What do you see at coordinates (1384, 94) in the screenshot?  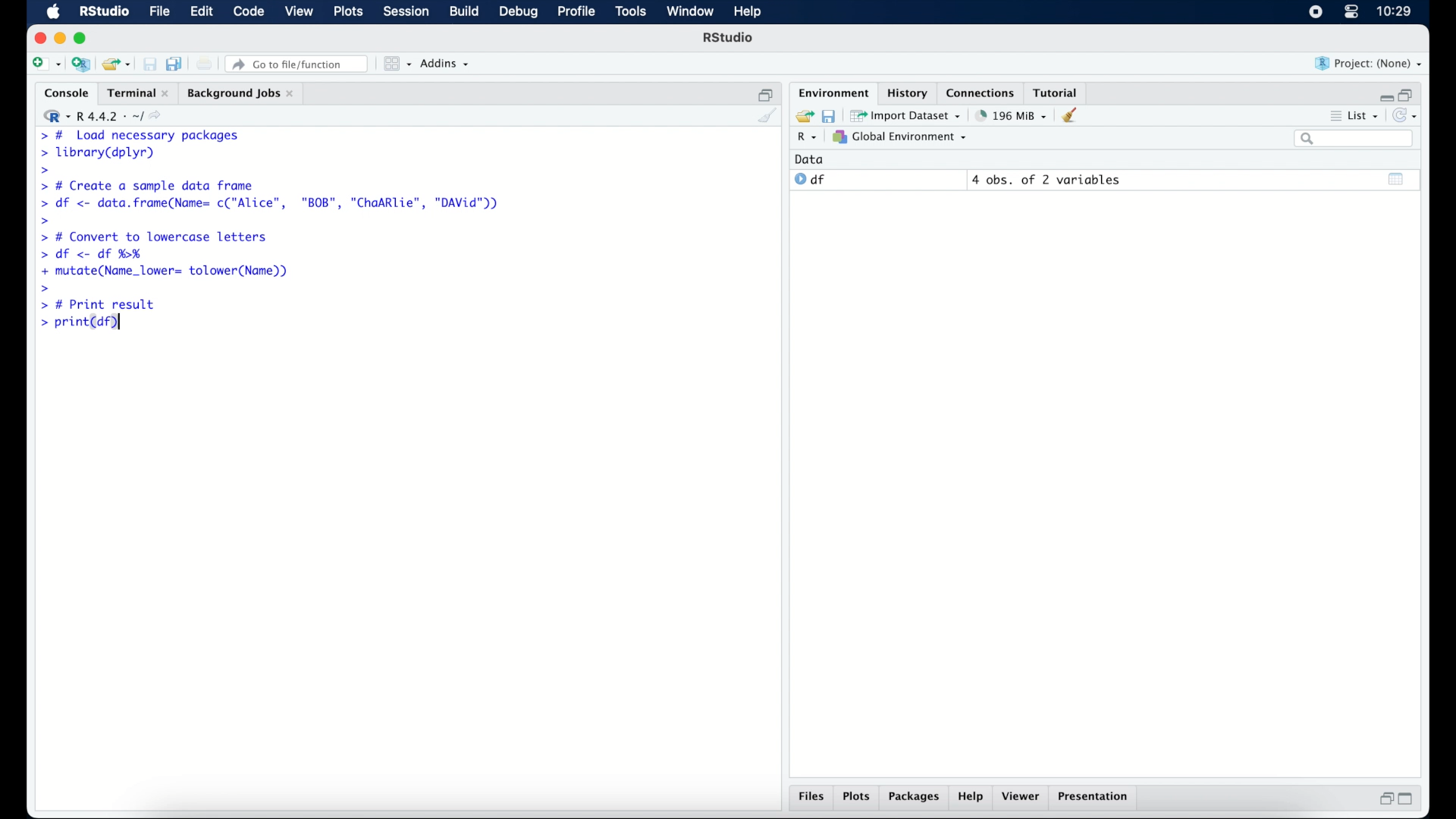 I see `minimize` at bounding box center [1384, 94].